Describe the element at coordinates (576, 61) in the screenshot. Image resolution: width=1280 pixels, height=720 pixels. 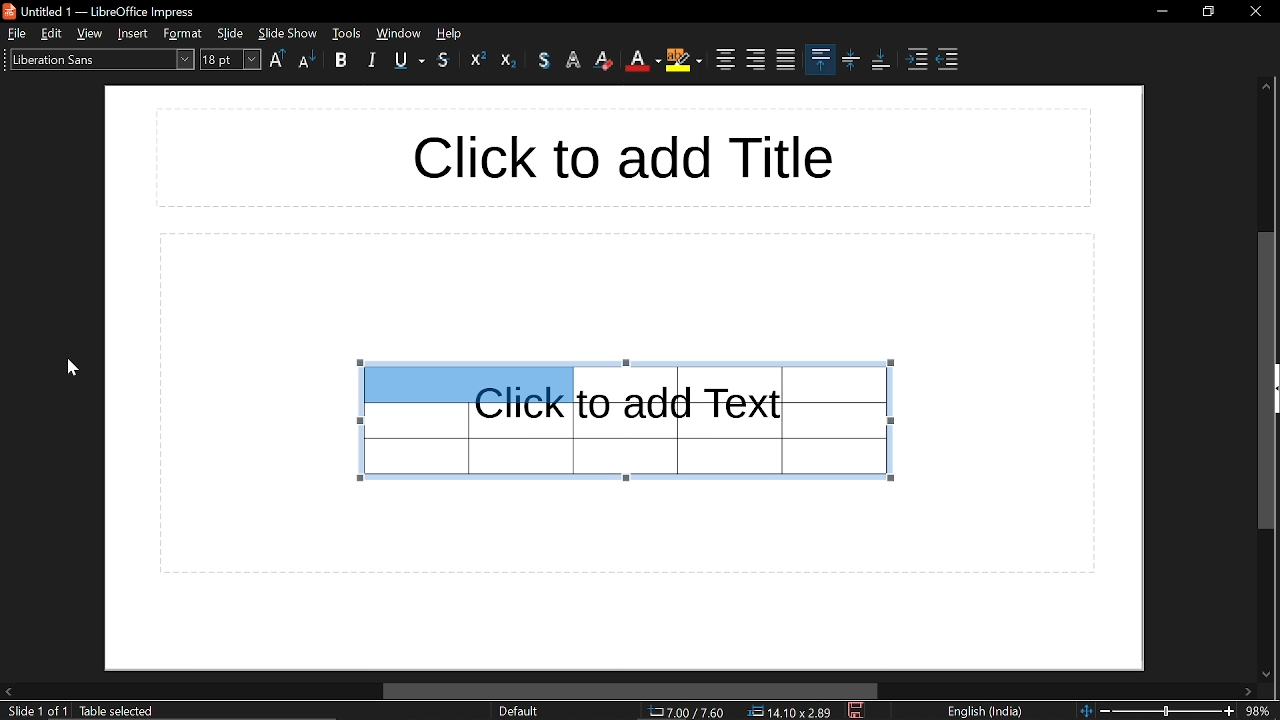
I see `apply outline` at that location.